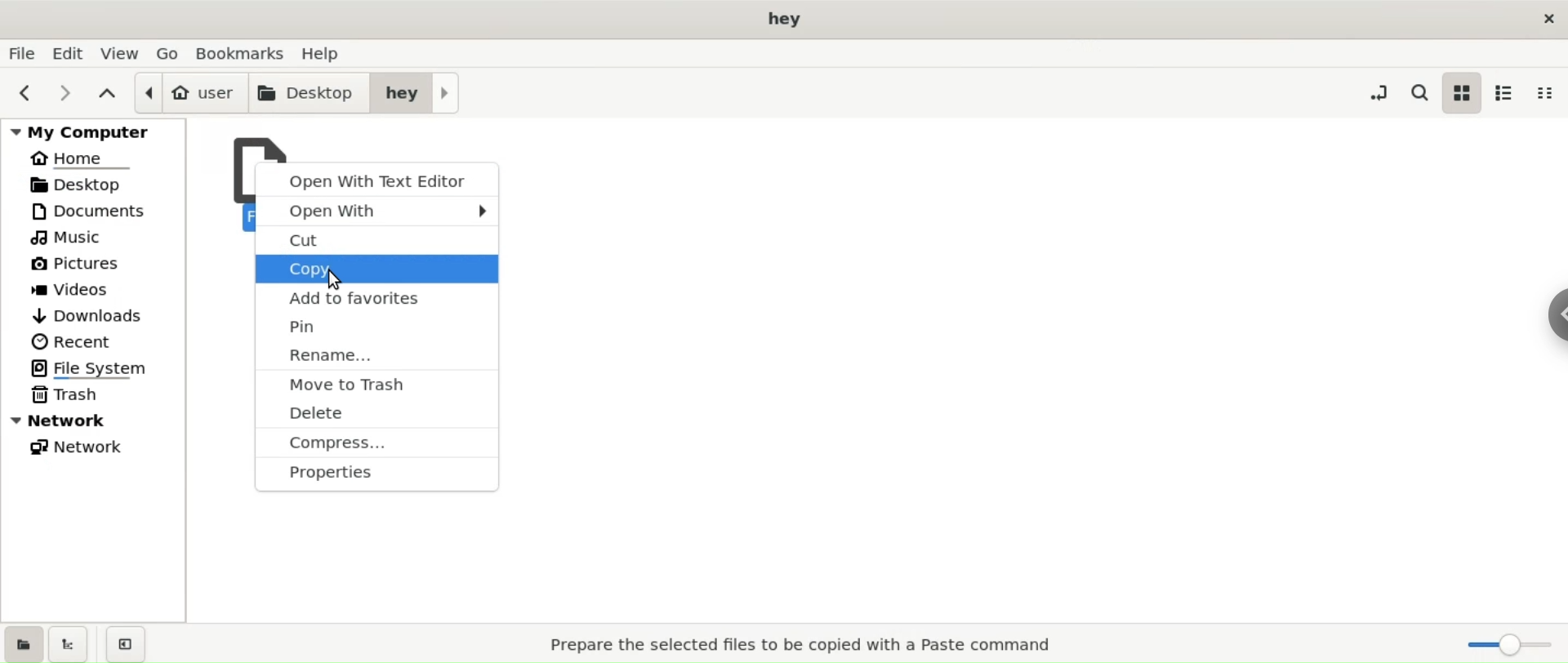 The image size is (1568, 663). Describe the element at coordinates (1379, 92) in the screenshot. I see `toggle location entry` at that location.